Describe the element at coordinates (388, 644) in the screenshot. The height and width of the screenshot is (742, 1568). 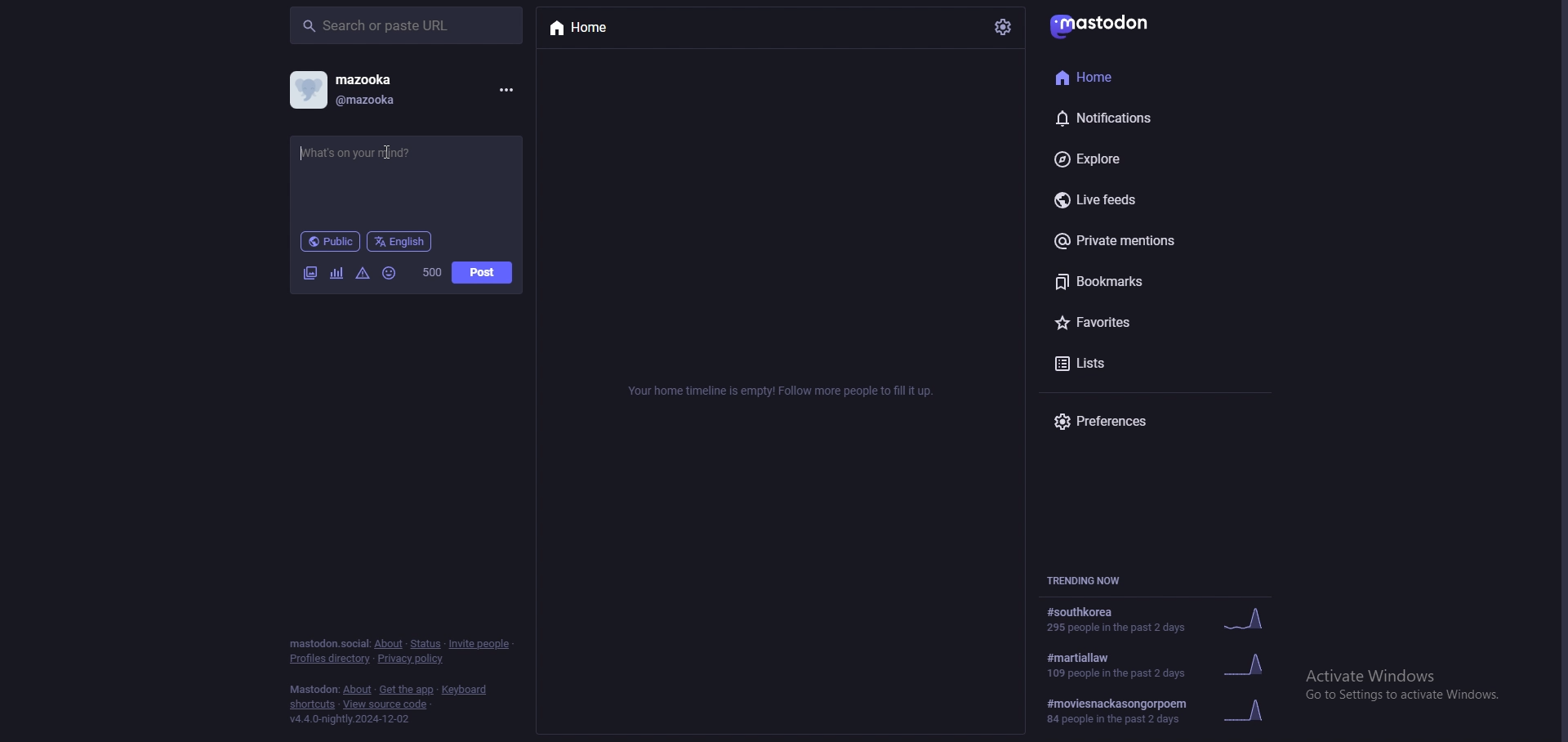
I see `about` at that location.